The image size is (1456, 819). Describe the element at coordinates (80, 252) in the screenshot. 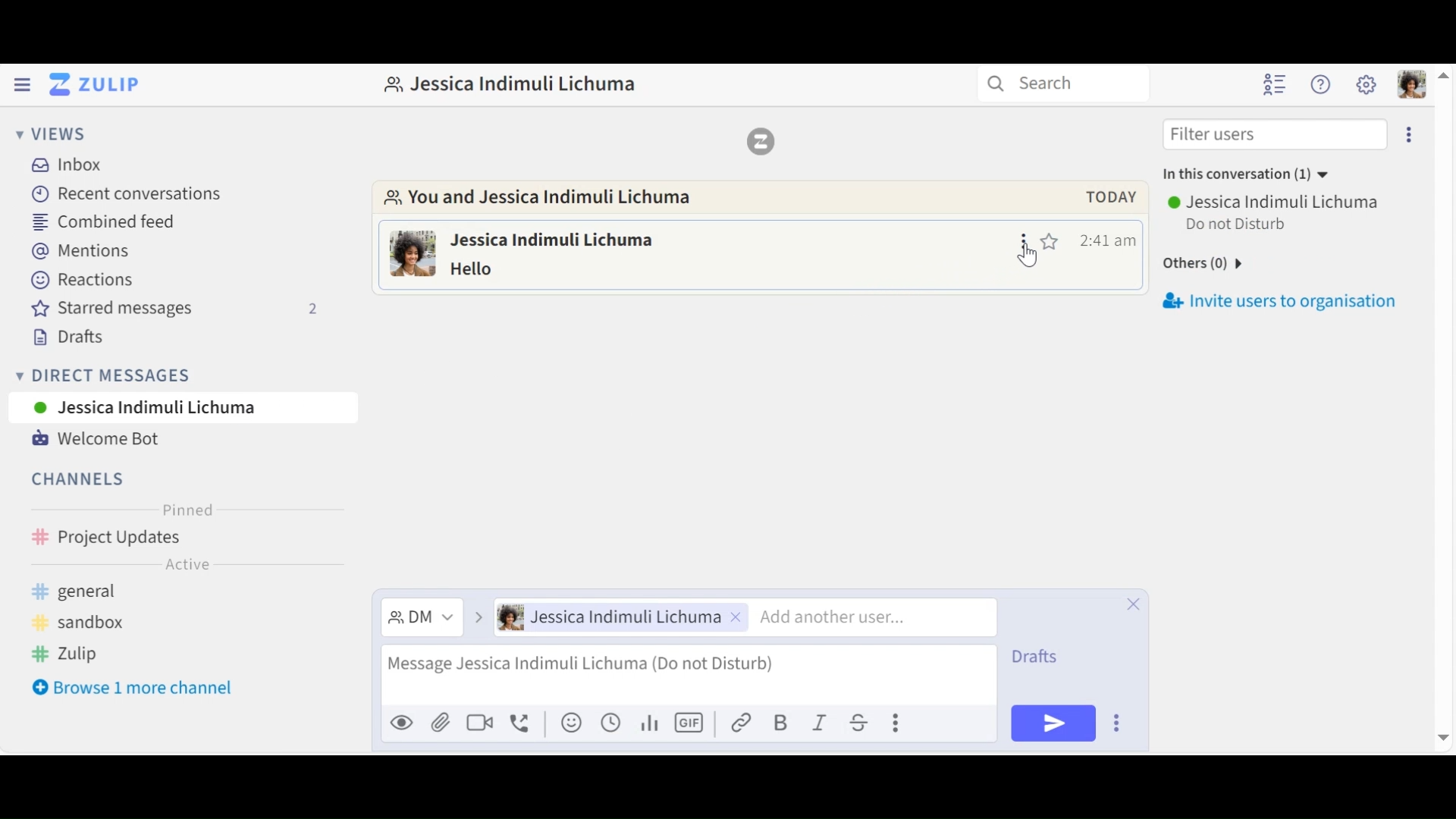

I see `Mentions` at that location.